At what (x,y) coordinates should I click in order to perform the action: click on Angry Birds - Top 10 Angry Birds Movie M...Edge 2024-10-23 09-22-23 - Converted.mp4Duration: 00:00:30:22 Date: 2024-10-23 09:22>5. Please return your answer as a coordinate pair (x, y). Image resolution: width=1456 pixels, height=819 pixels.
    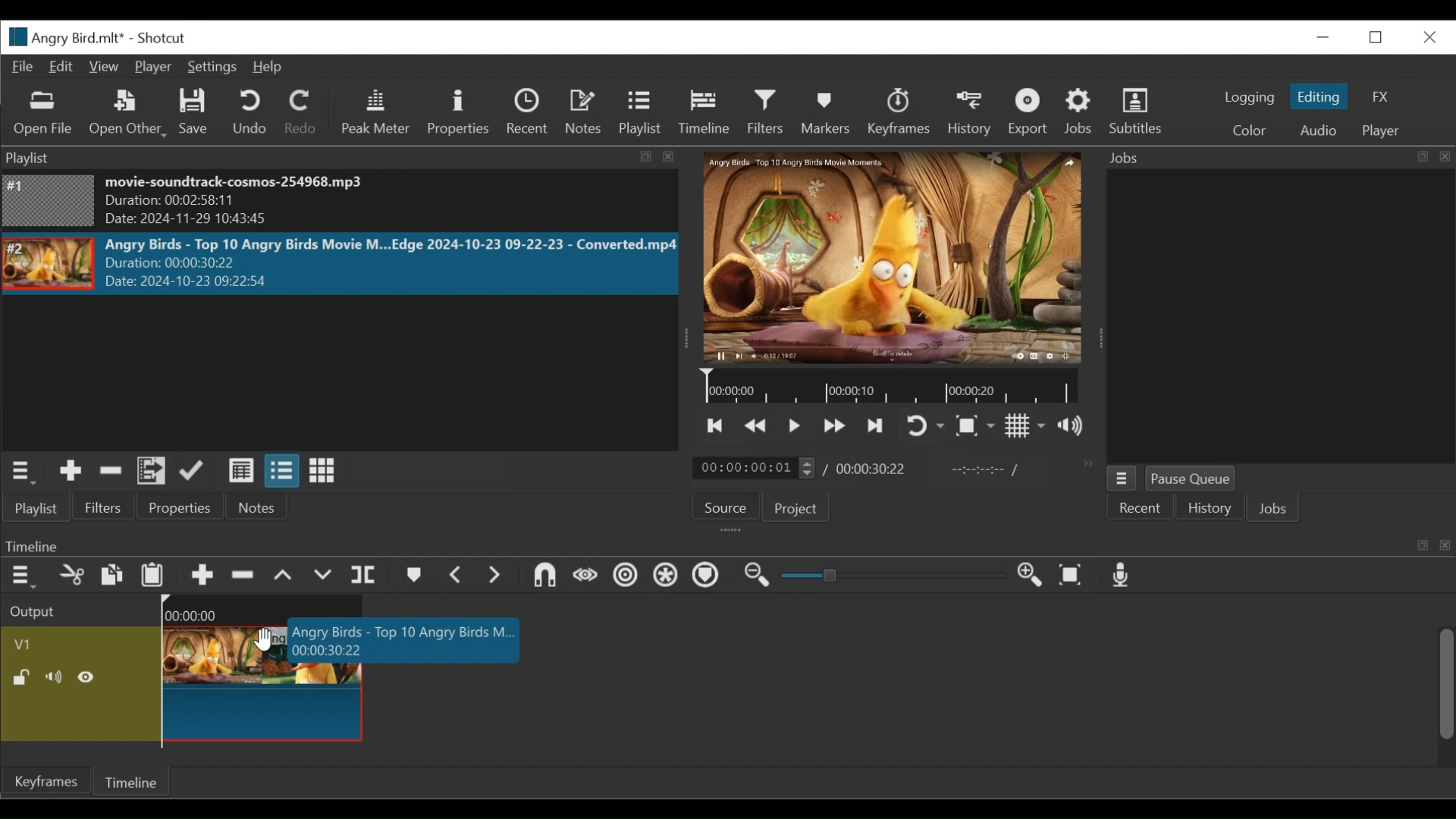
    Looking at the image, I should click on (390, 264).